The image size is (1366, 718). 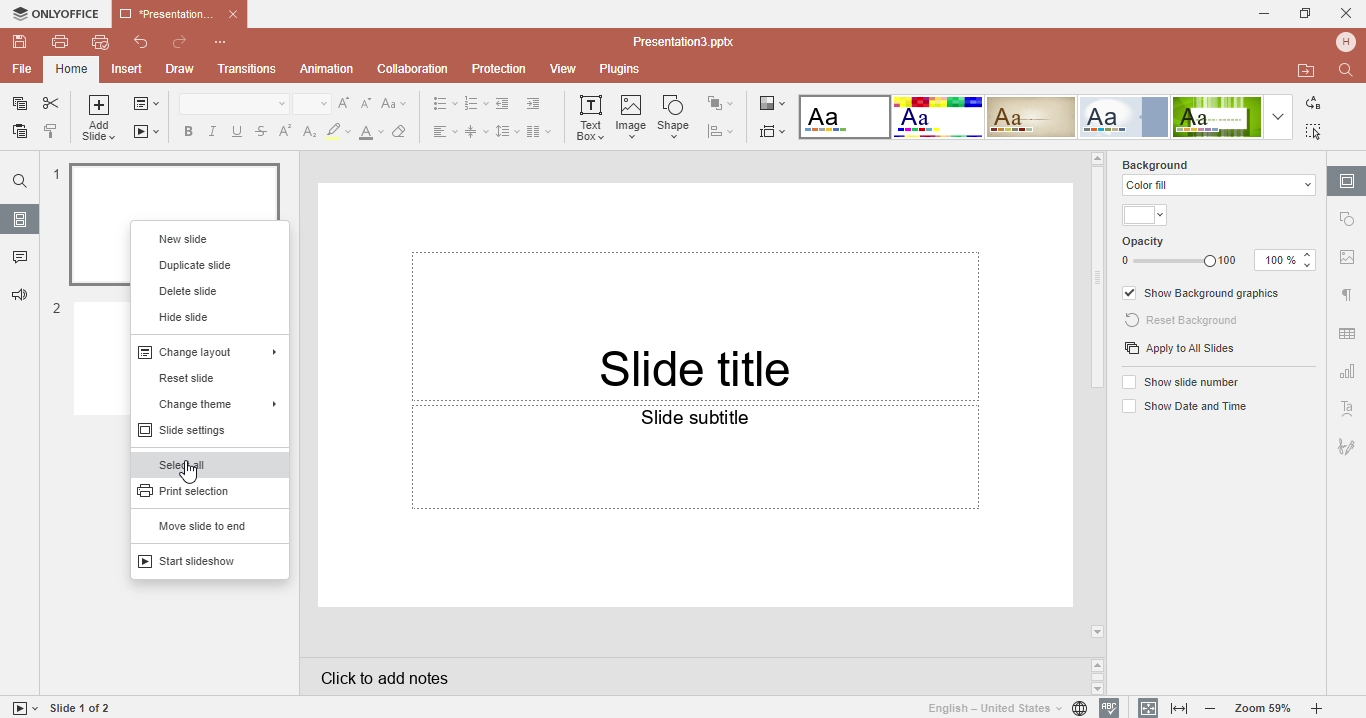 What do you see at coordinates (1185, 321) in the screenshot?
I see `Reset background` at bounding box center [1185, 321].